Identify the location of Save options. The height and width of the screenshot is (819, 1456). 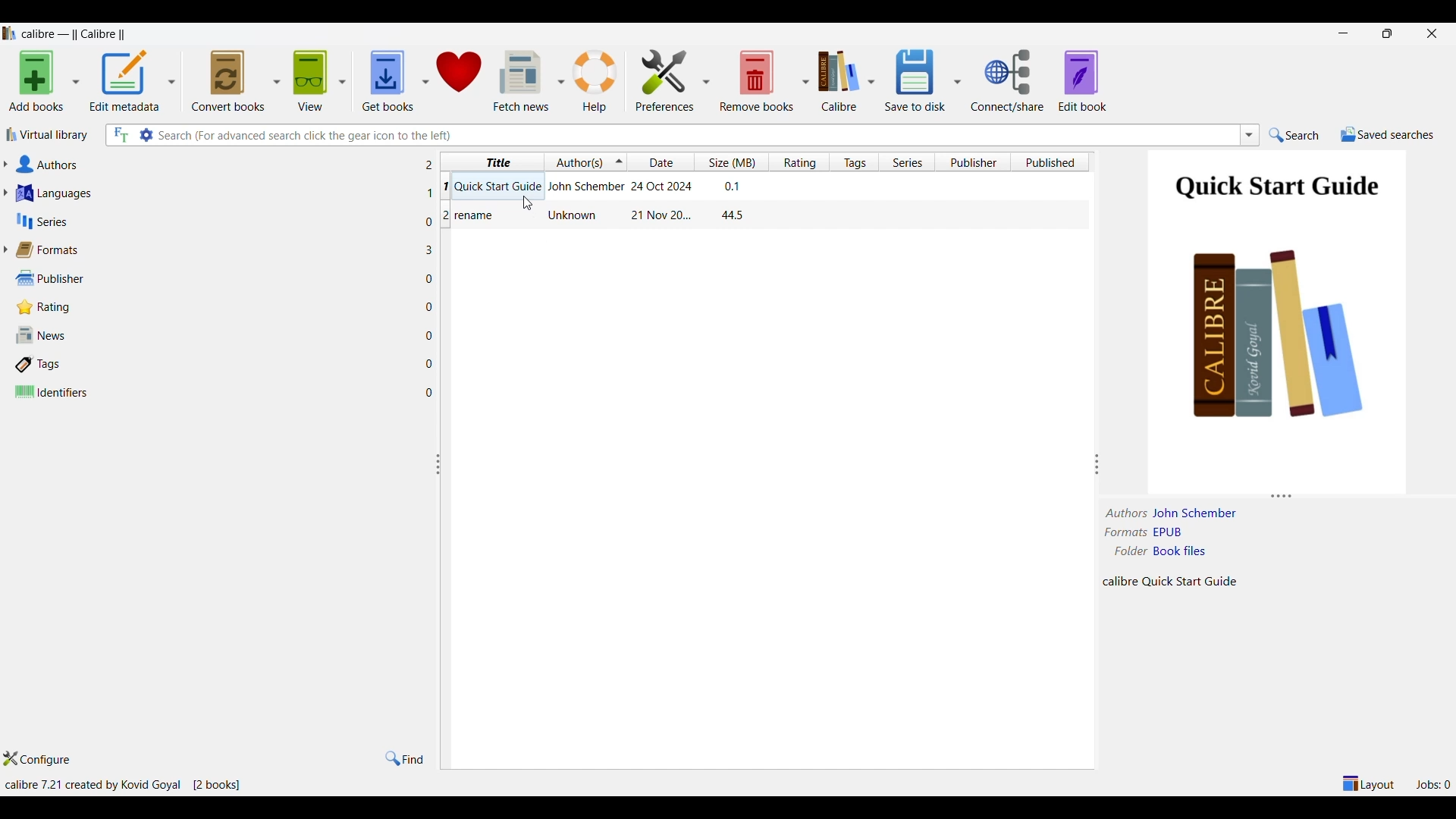
(958, 80).